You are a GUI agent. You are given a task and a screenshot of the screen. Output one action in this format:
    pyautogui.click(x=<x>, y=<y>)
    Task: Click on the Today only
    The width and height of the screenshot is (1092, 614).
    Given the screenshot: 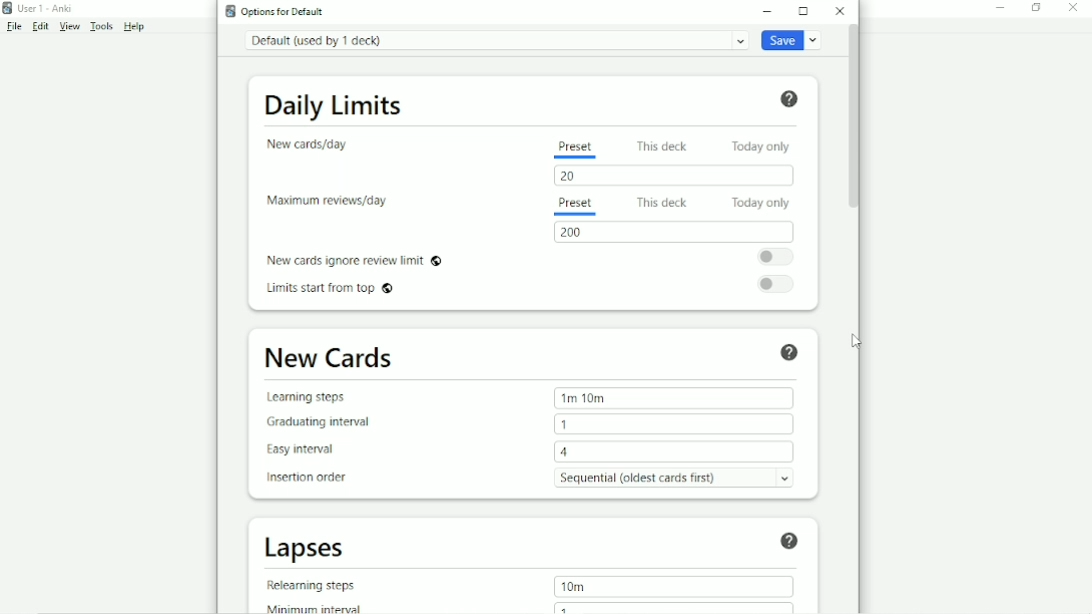 What is the action you would take?
    pyautogui.click(x=760, y=203)
    